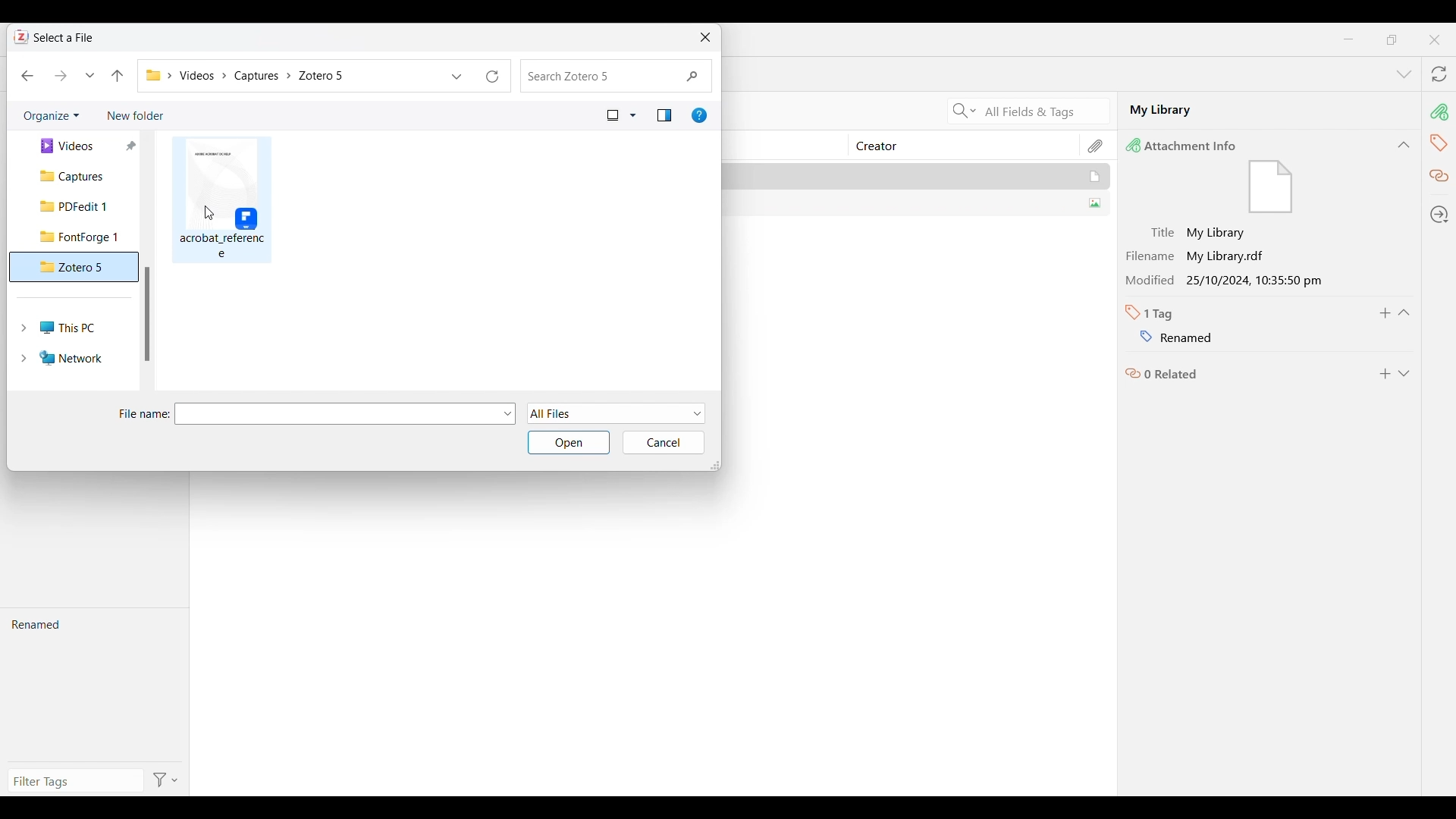 The width and height of the screenshot is (1456, 819). Describe the element at coordinates (78, 146) in the screenshot. I see `Videos folder` at that location.